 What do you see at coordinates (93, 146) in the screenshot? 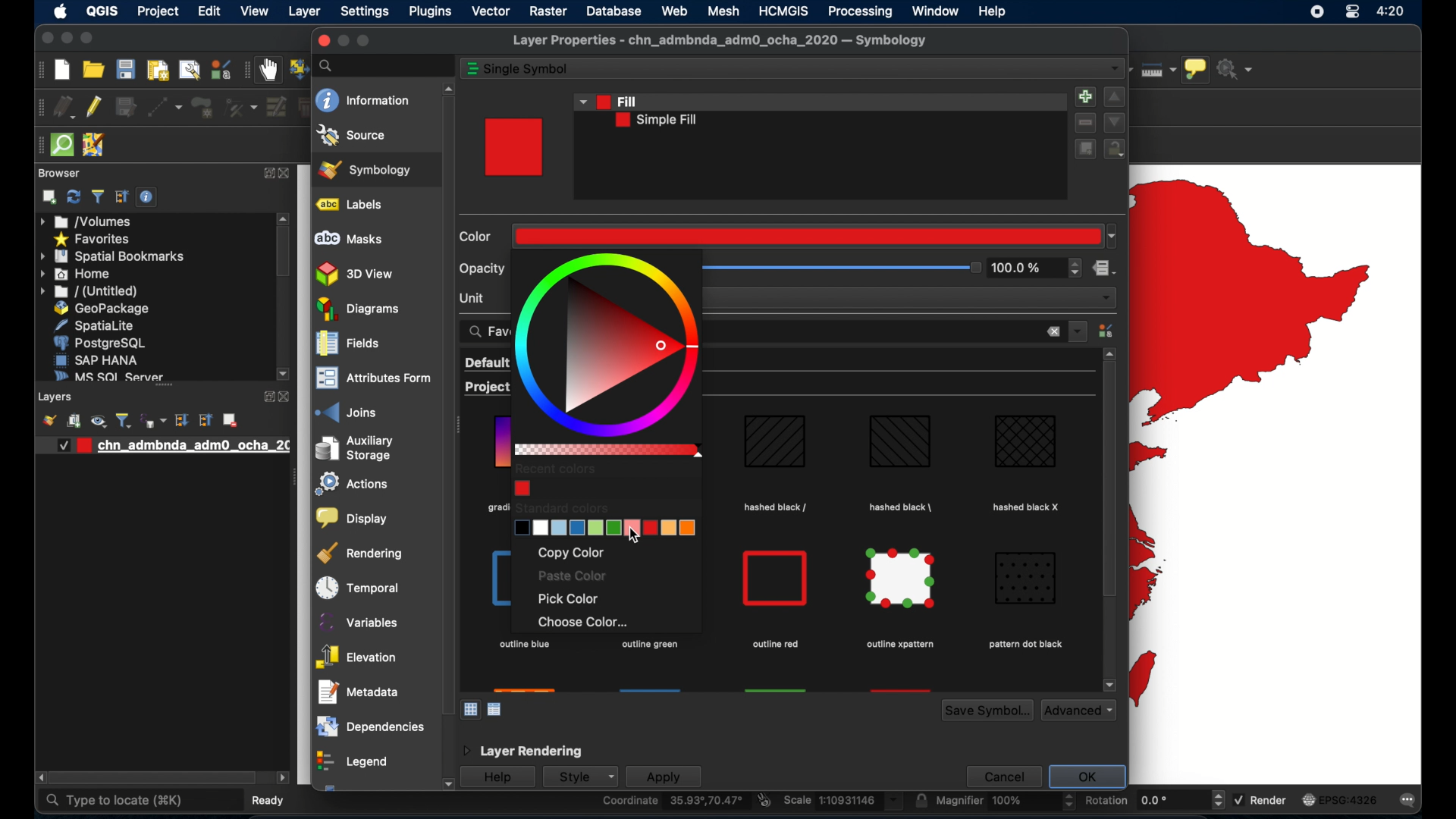
I see `jsomremote` at bounding box center [93, 146].